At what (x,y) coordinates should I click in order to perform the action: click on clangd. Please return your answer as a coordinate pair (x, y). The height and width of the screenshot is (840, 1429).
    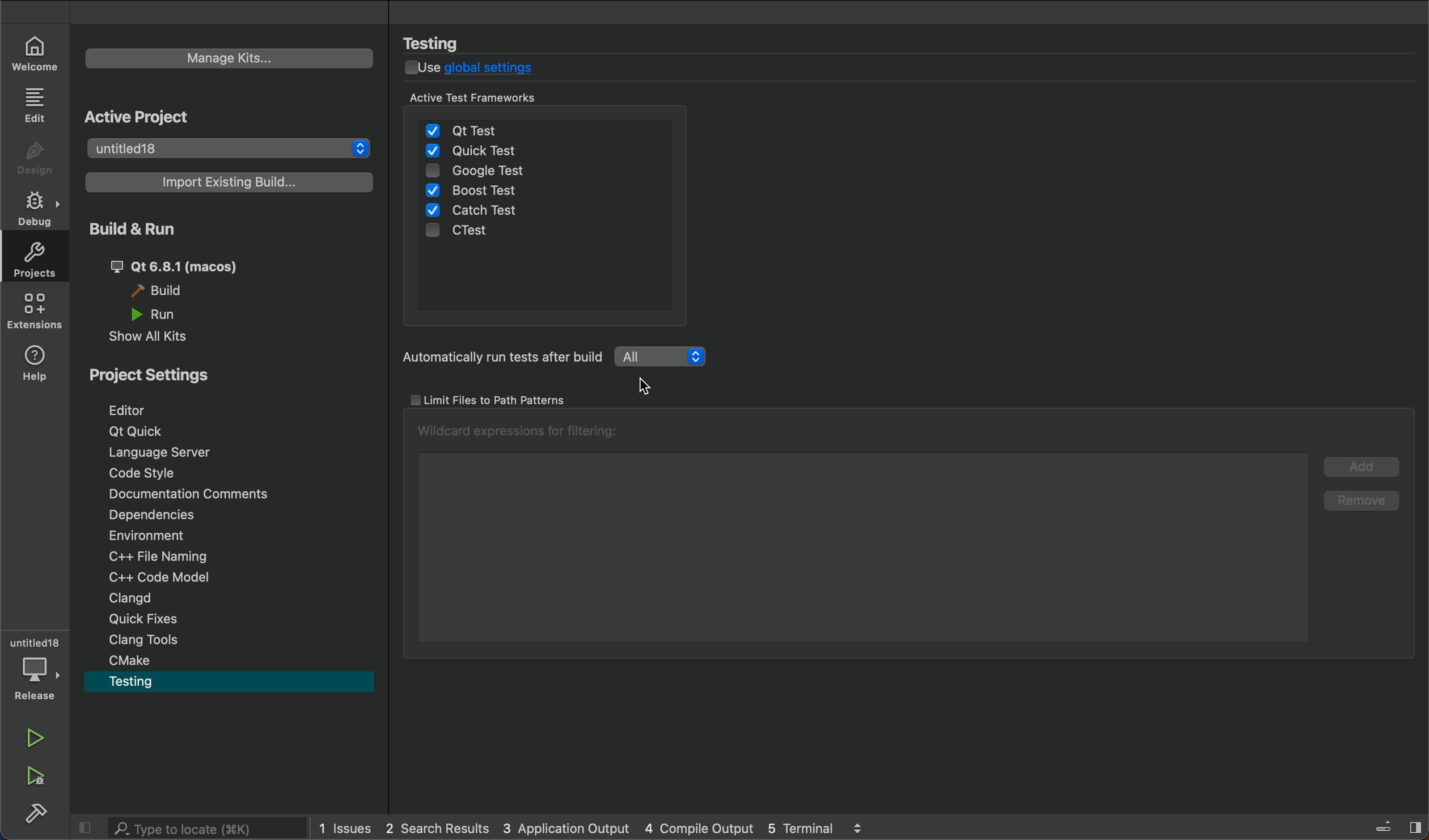
    Looking at the image, I should click on (152, 597).